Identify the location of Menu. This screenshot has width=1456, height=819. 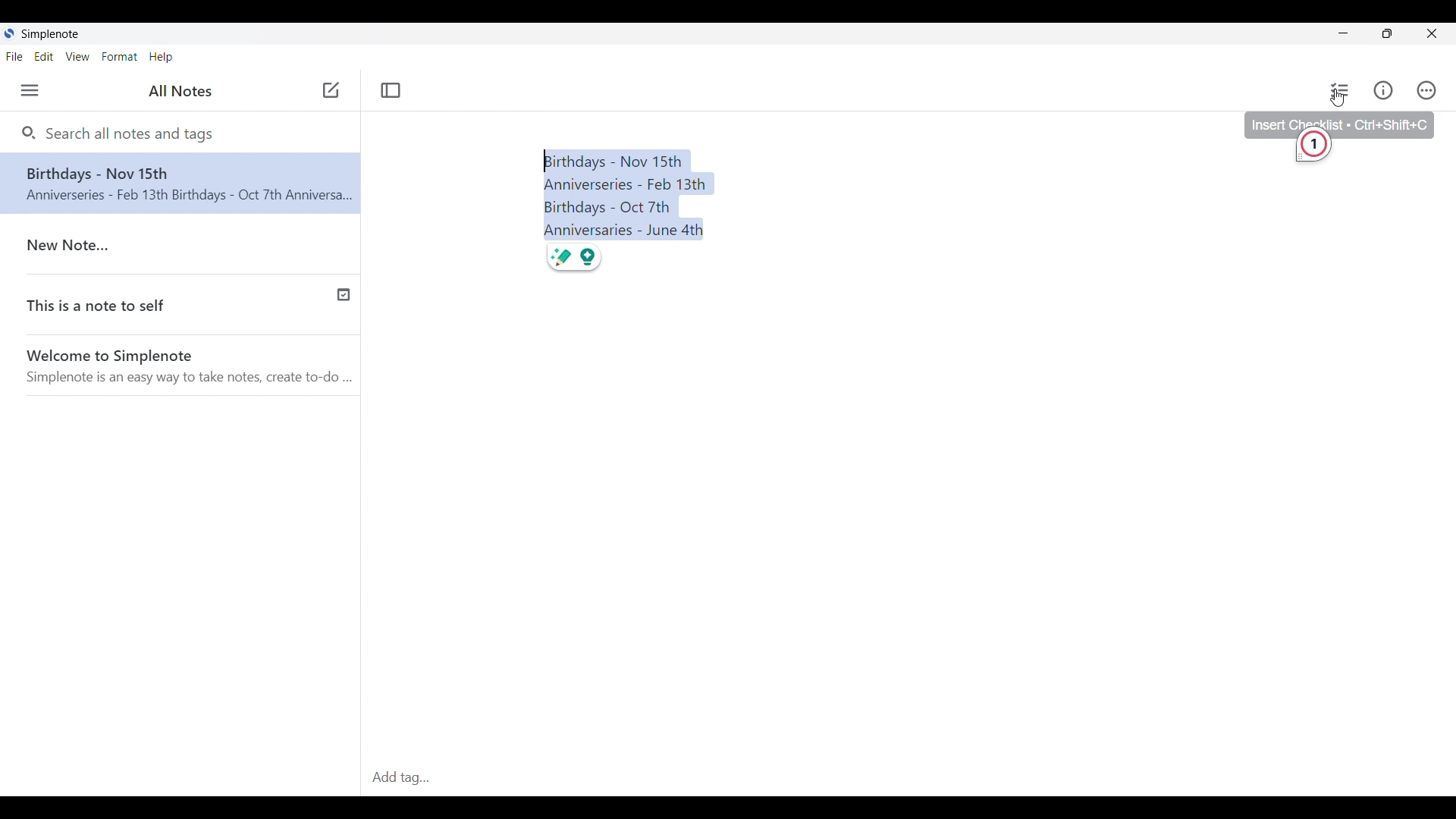
(30, 90).